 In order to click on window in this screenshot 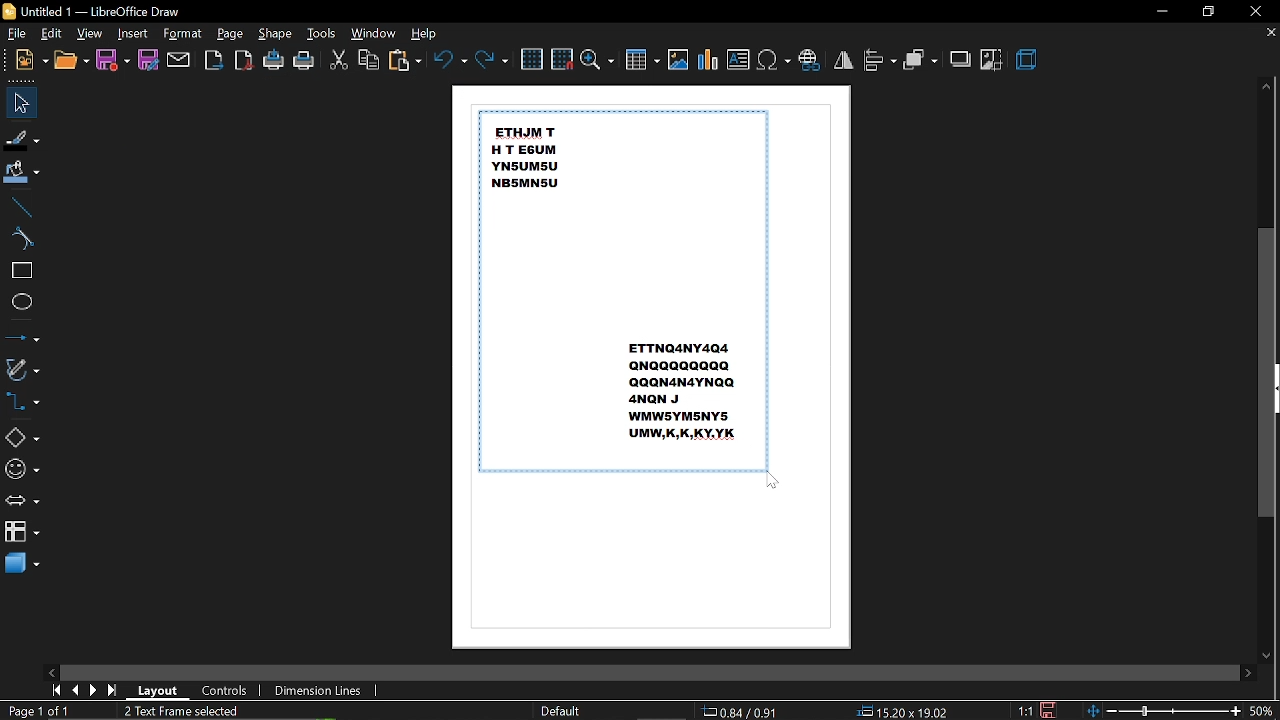, I will do `click(374, 34)`.